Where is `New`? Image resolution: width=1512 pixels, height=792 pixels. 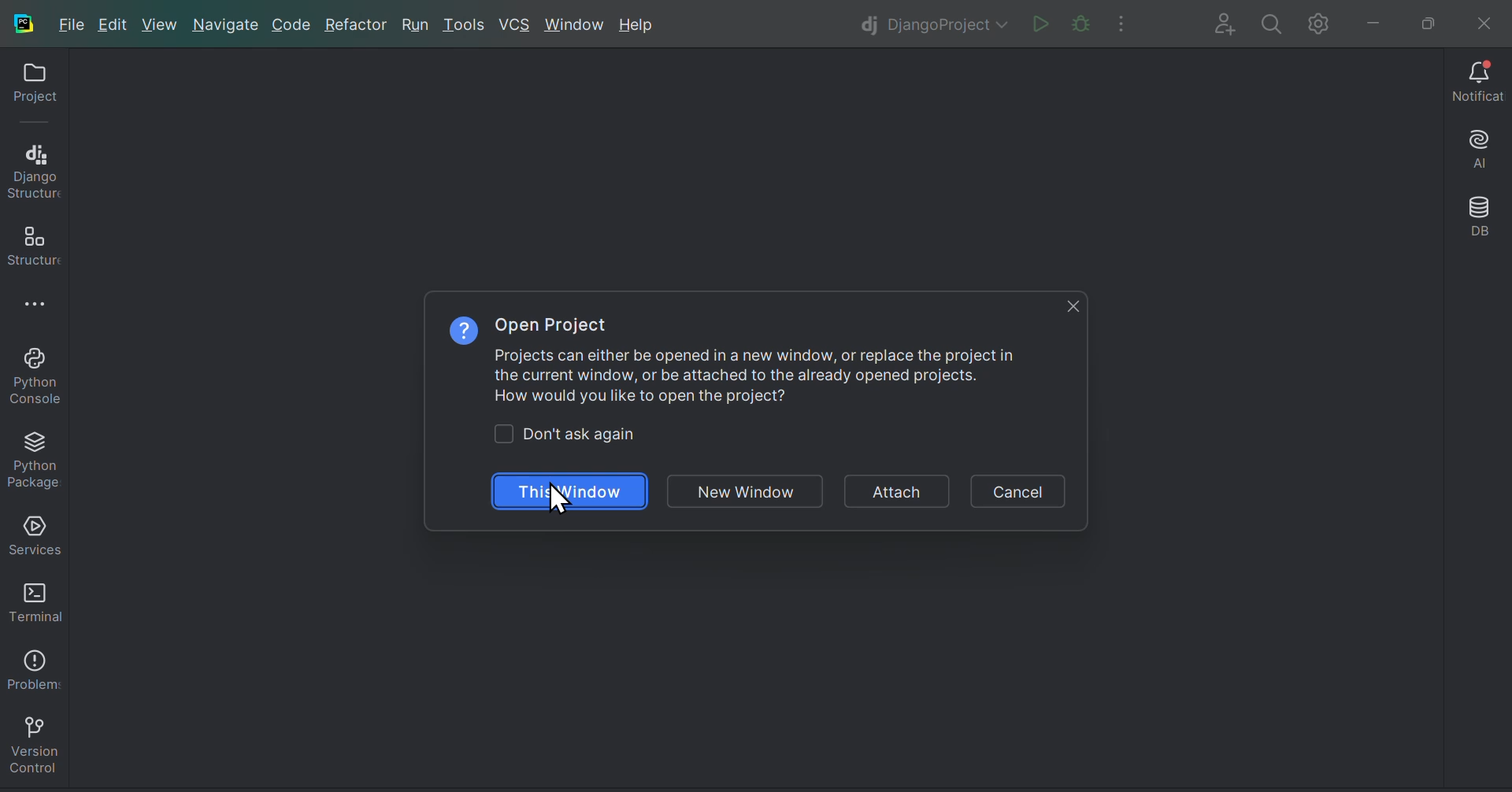 New is located at coordinates (161, 26).